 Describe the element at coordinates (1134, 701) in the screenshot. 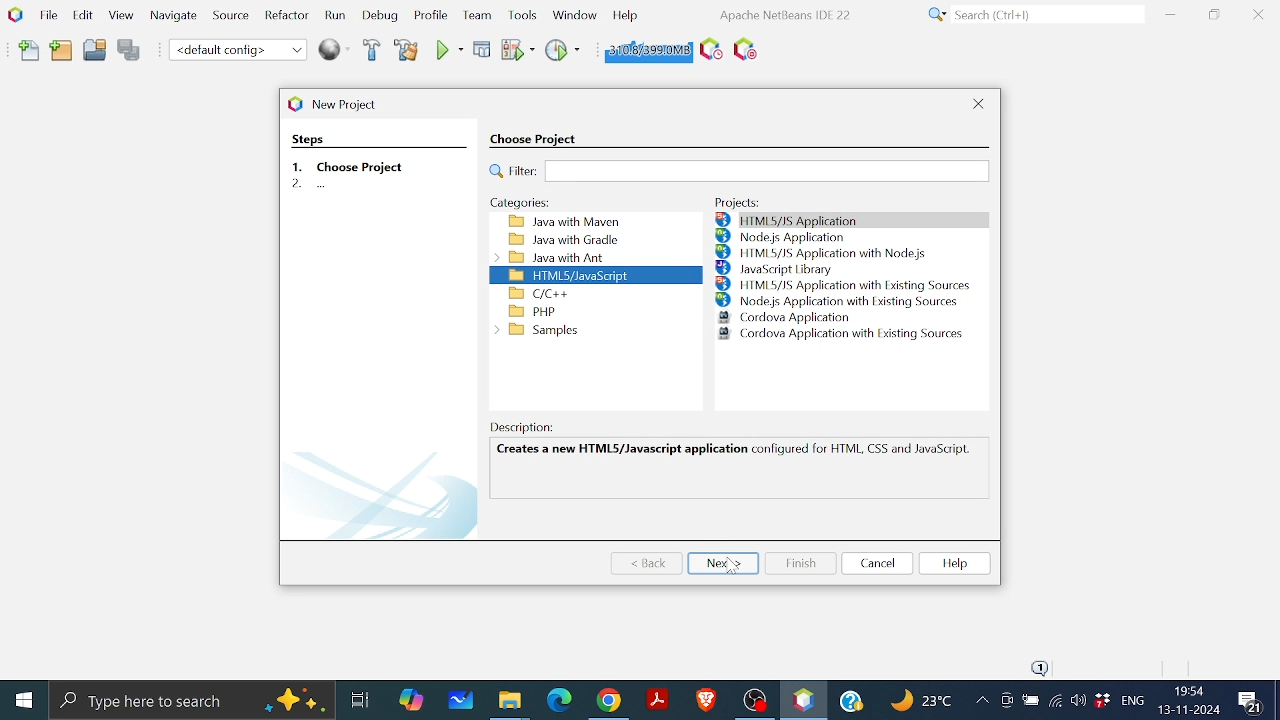

I see `languge` at that location.